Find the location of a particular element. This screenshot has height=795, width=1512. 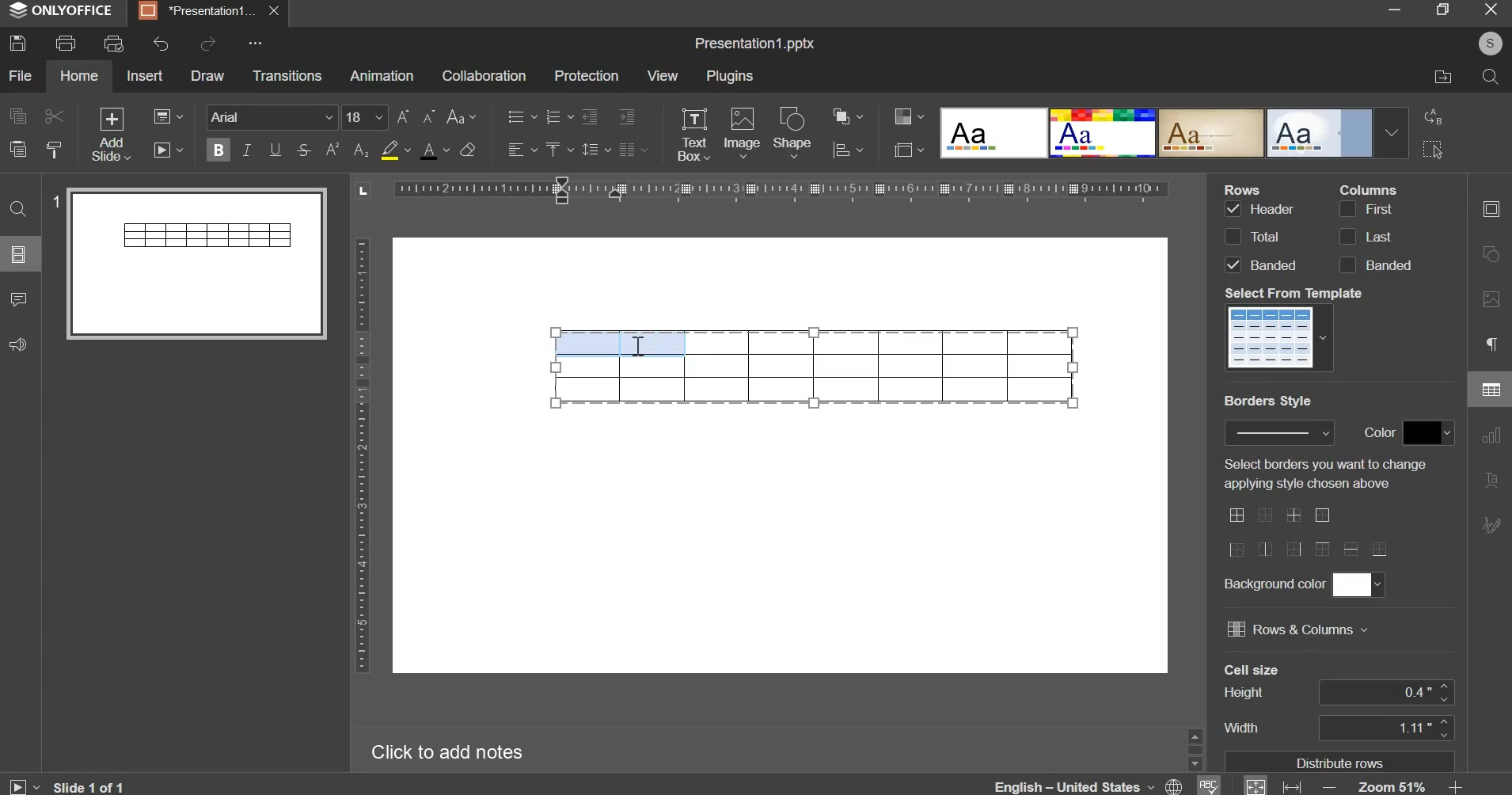

More is located at coordinates (253, 44).